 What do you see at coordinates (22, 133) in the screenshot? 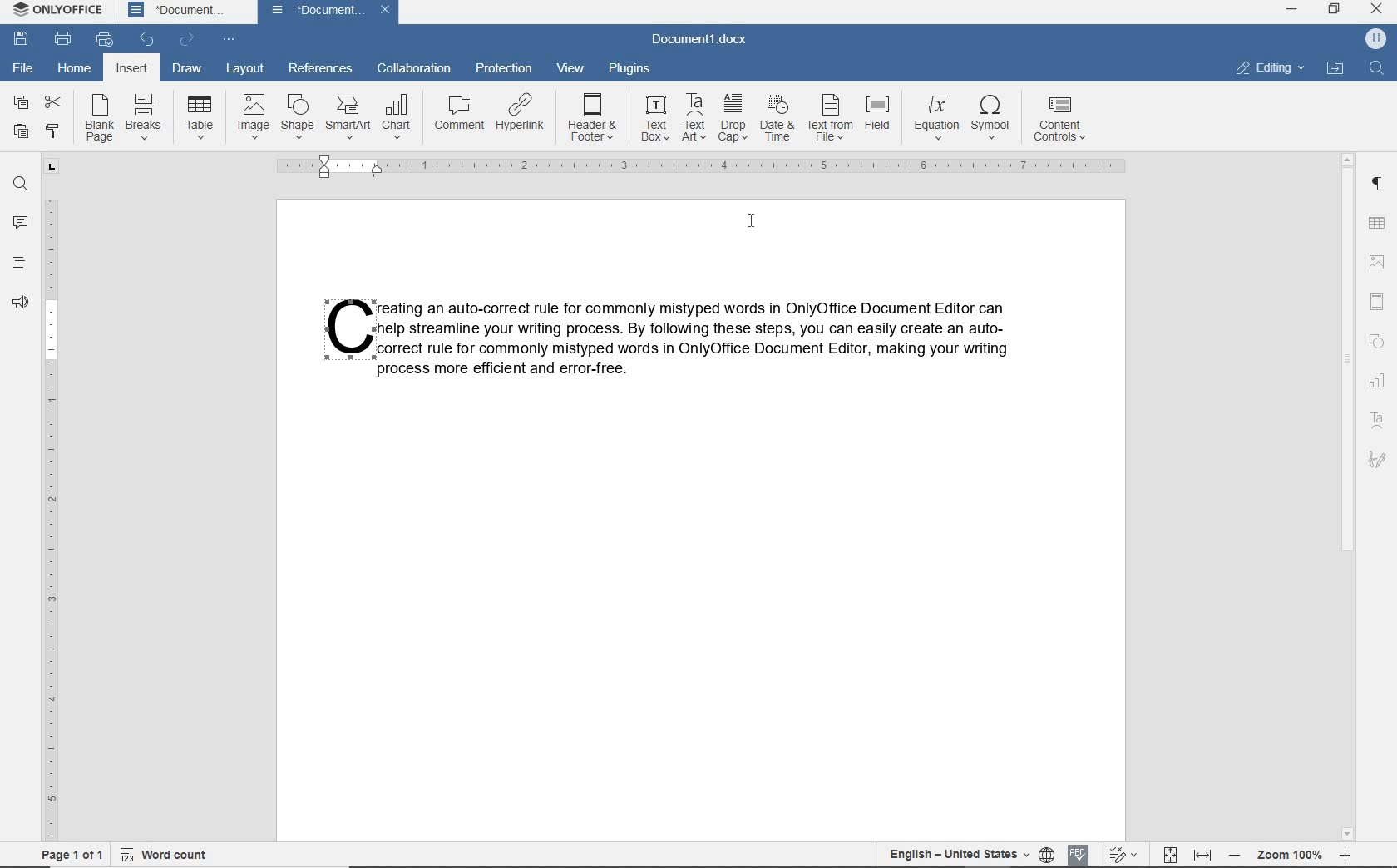
I see `paste` at bounding box center [22, 133].